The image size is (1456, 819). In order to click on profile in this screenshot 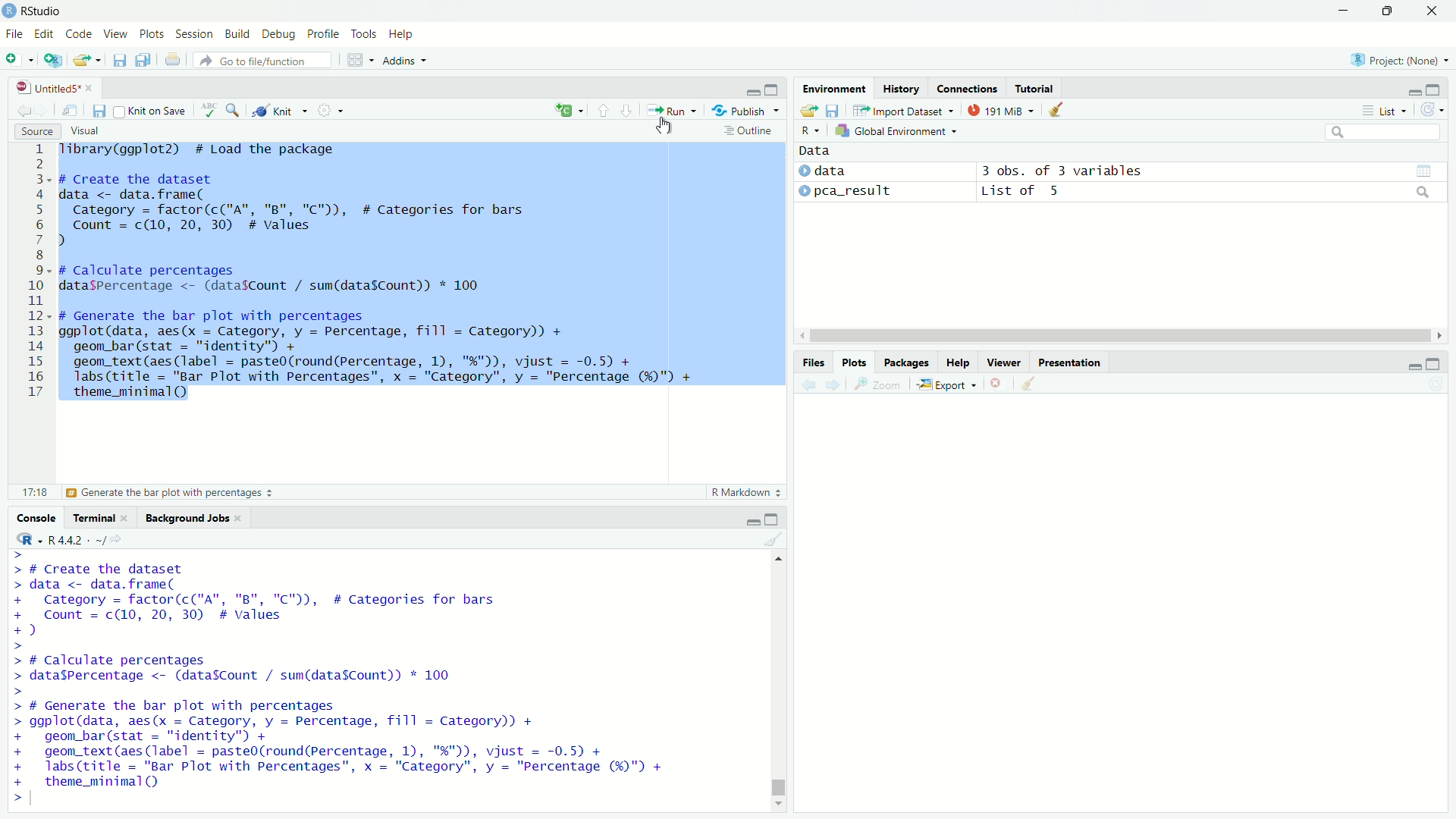, I will do `click(325, 35)`.